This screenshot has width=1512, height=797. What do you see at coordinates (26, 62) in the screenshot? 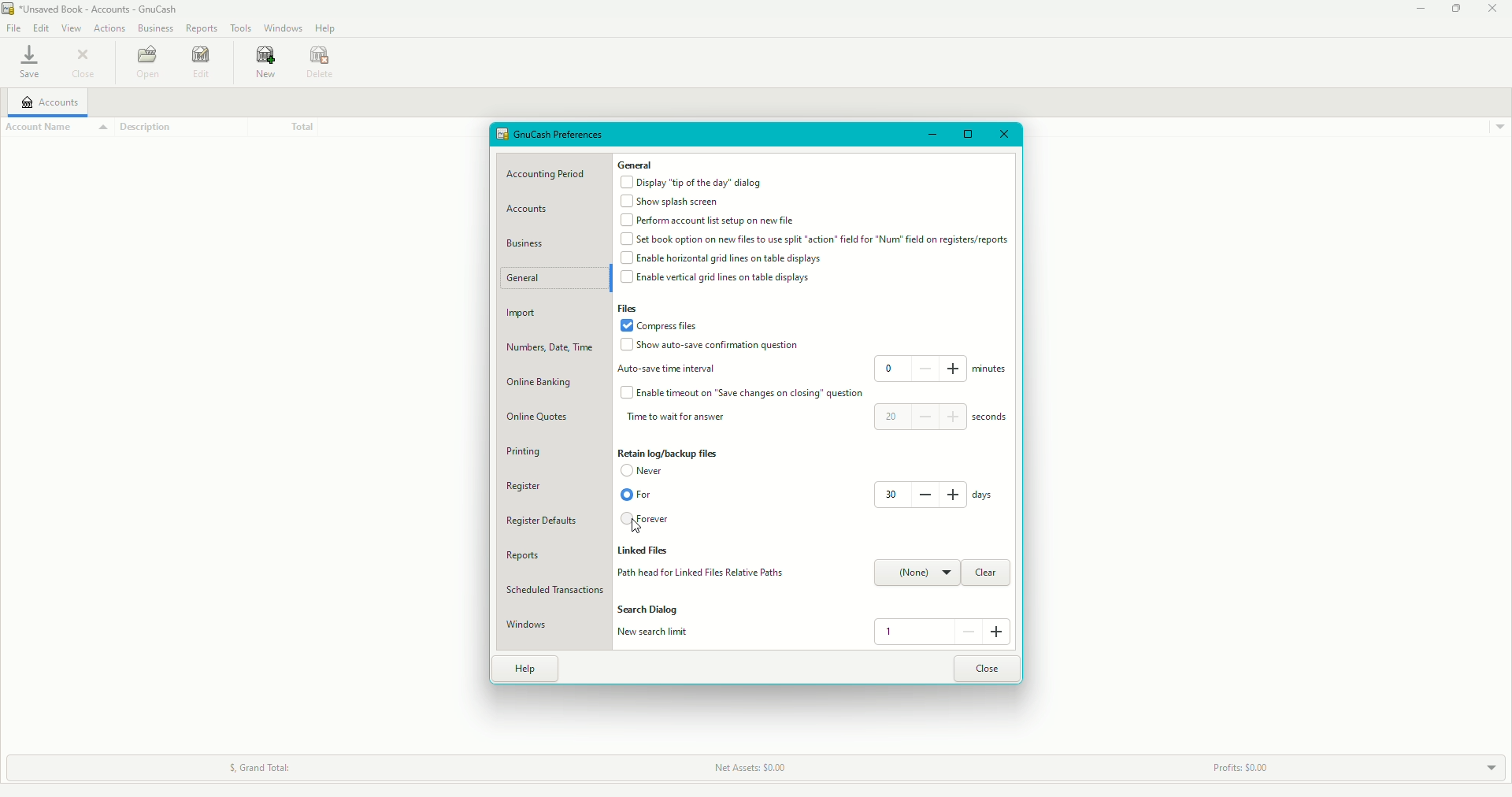
I see `save` at bounding box center [26, 62].